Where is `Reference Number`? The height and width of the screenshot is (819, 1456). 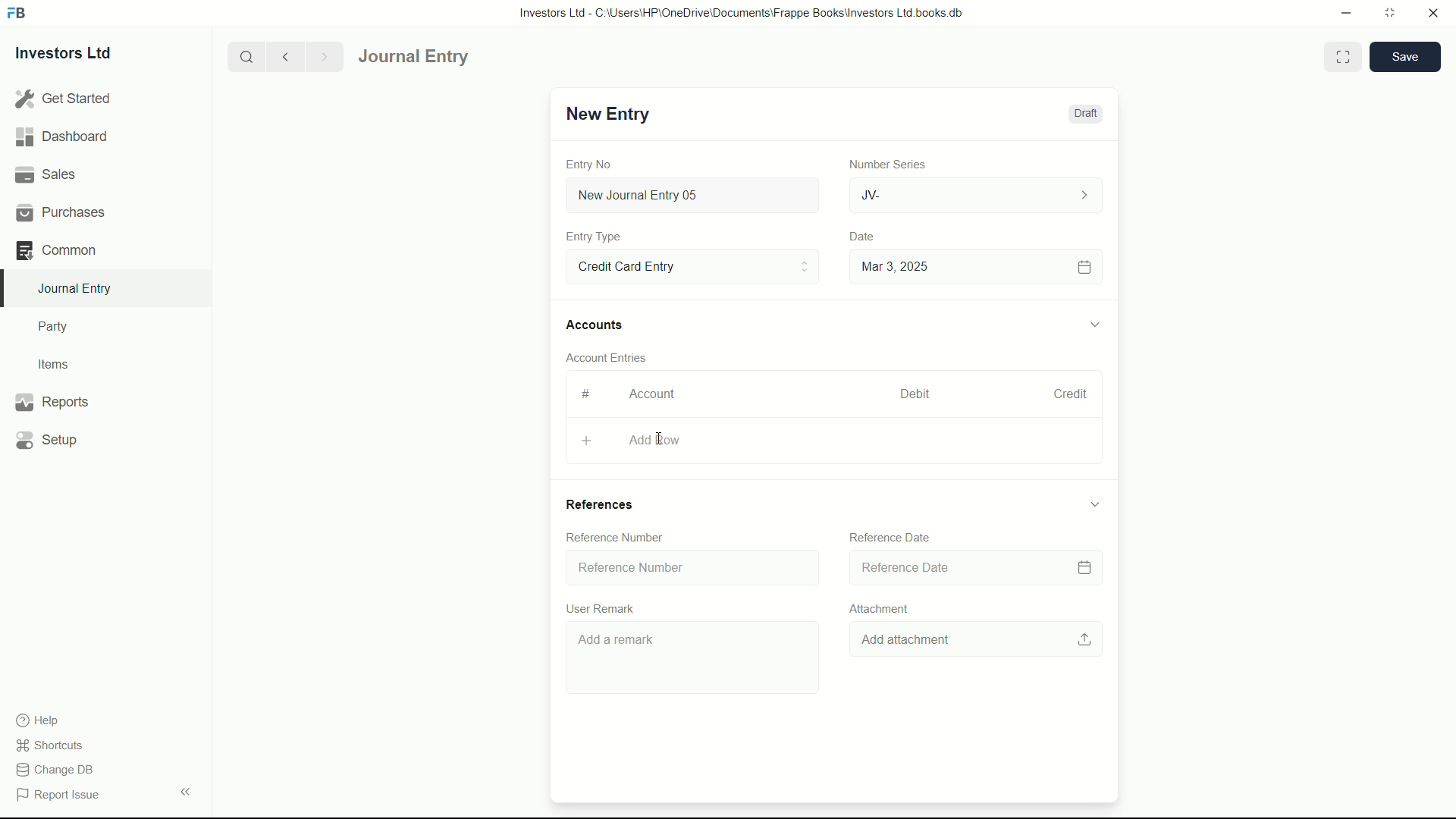
Reference Number is located at coordinates (690, 566).